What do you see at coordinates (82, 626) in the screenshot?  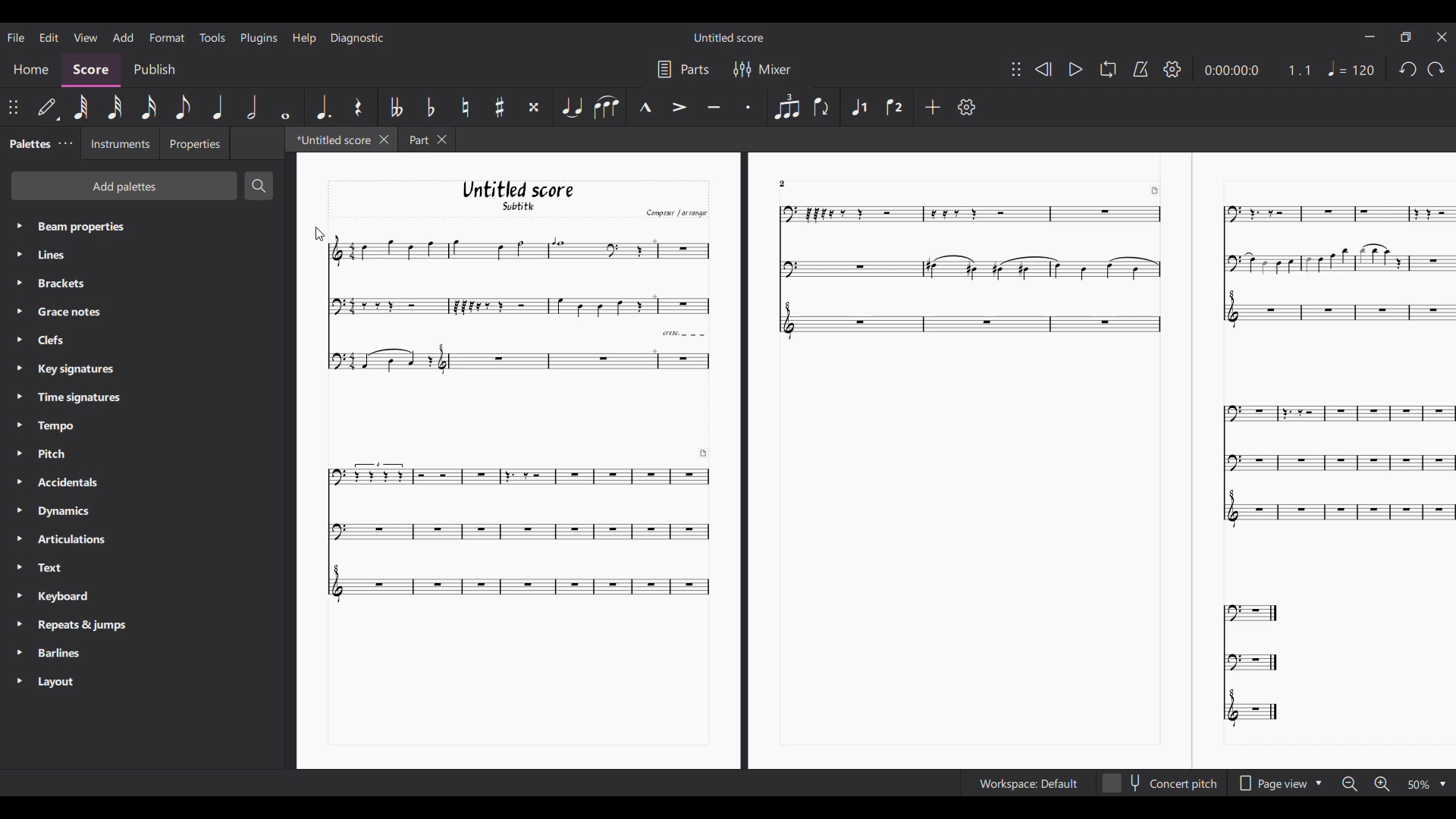 I see `Repeats & Jumps` at bounding box center [82, 626].